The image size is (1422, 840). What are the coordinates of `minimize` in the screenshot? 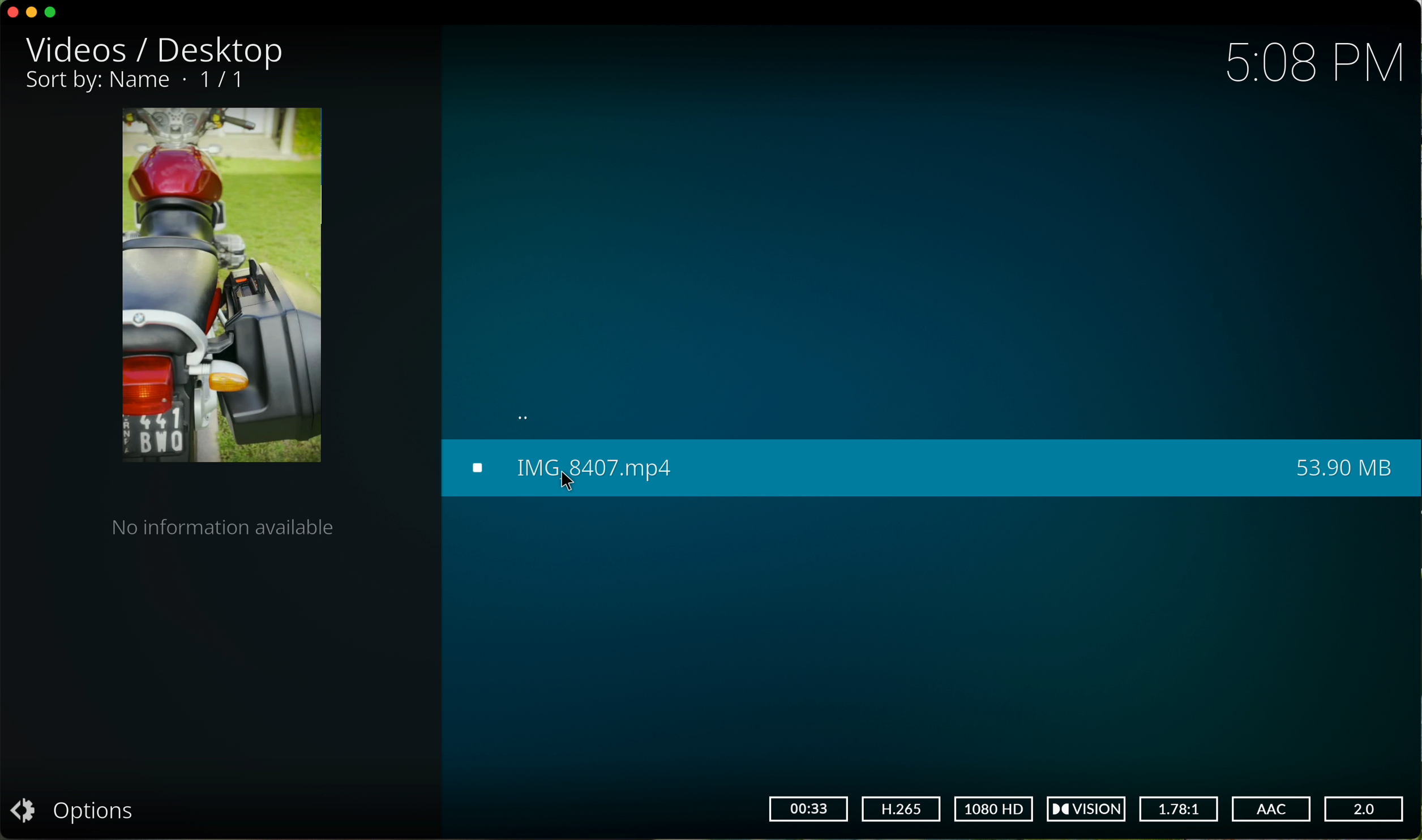 It's located at (35, 14).